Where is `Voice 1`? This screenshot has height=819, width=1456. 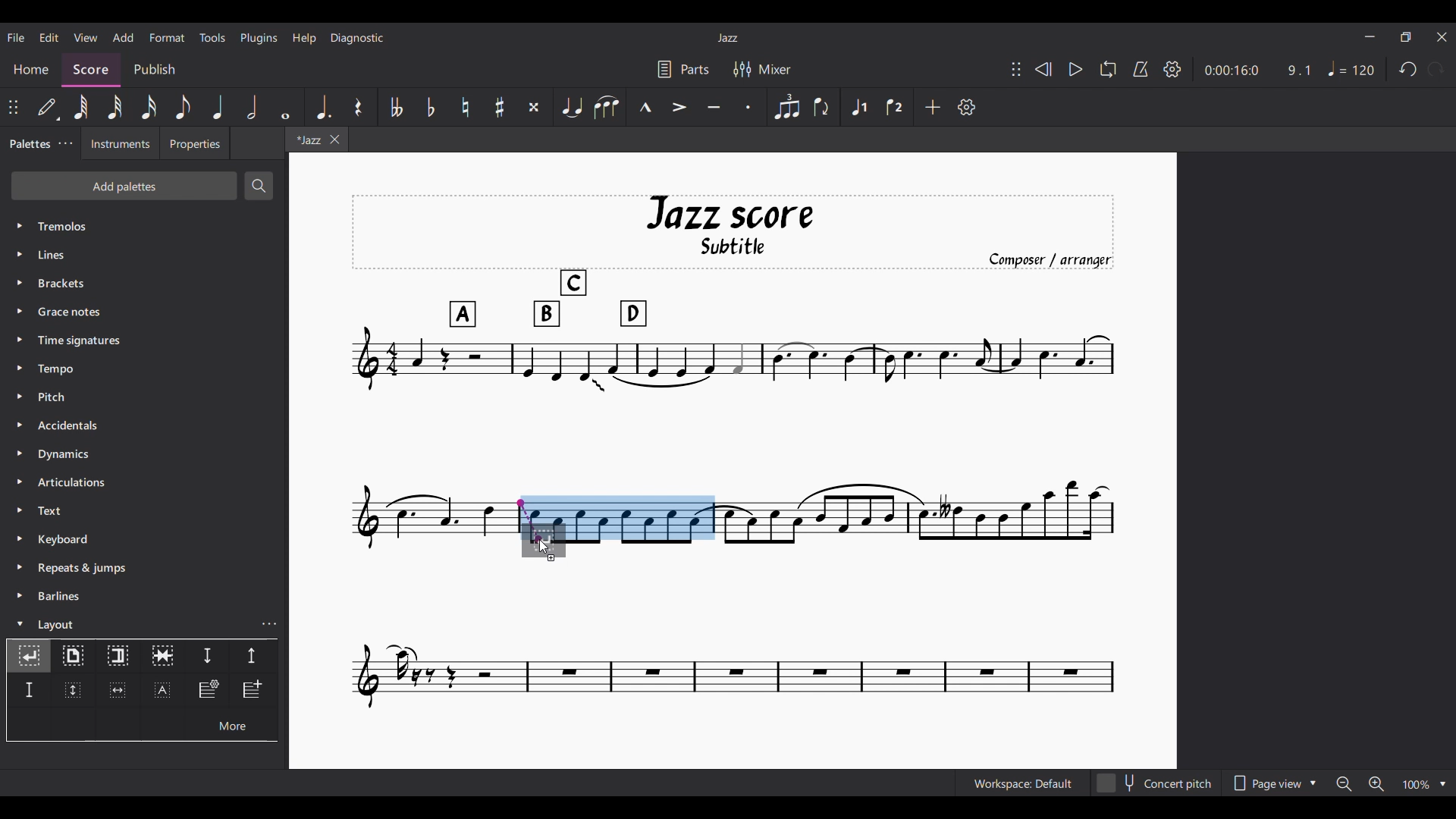
Voice 1 is located at coordinates (858, 107).